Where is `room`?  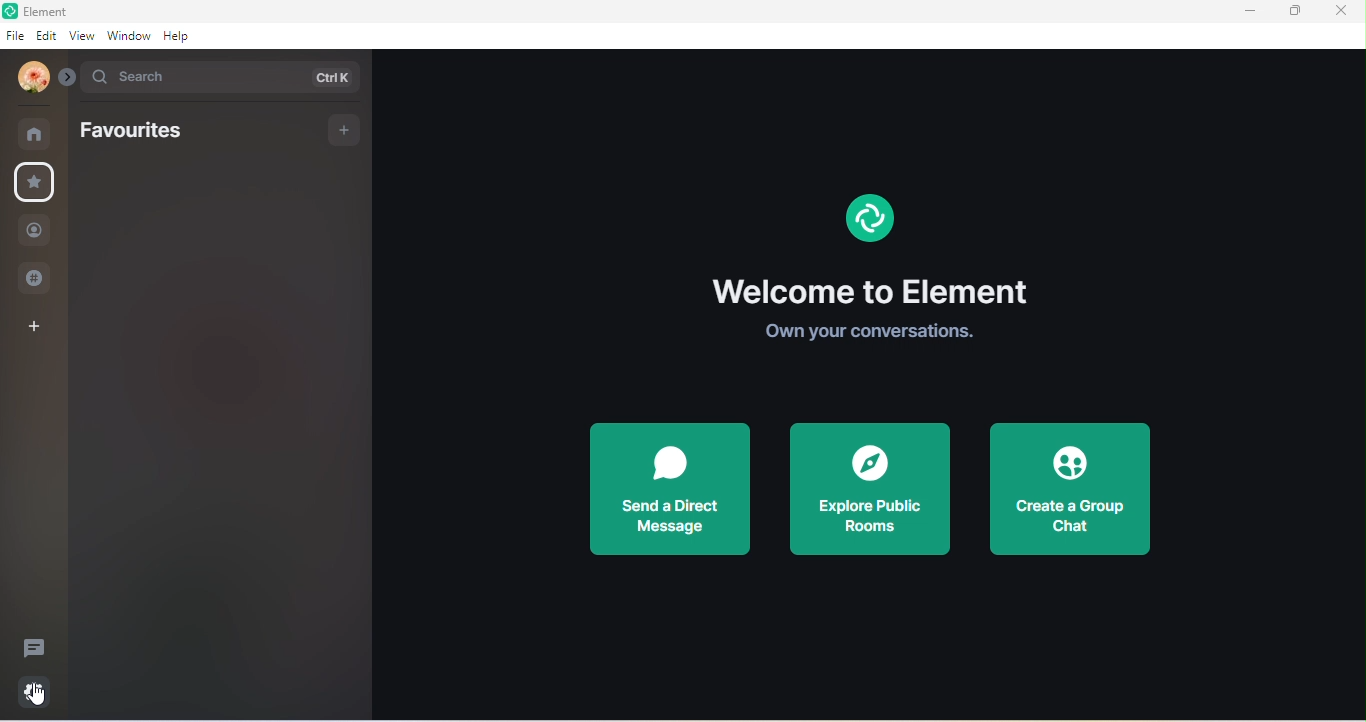 room is located at coordinates (35, 131).